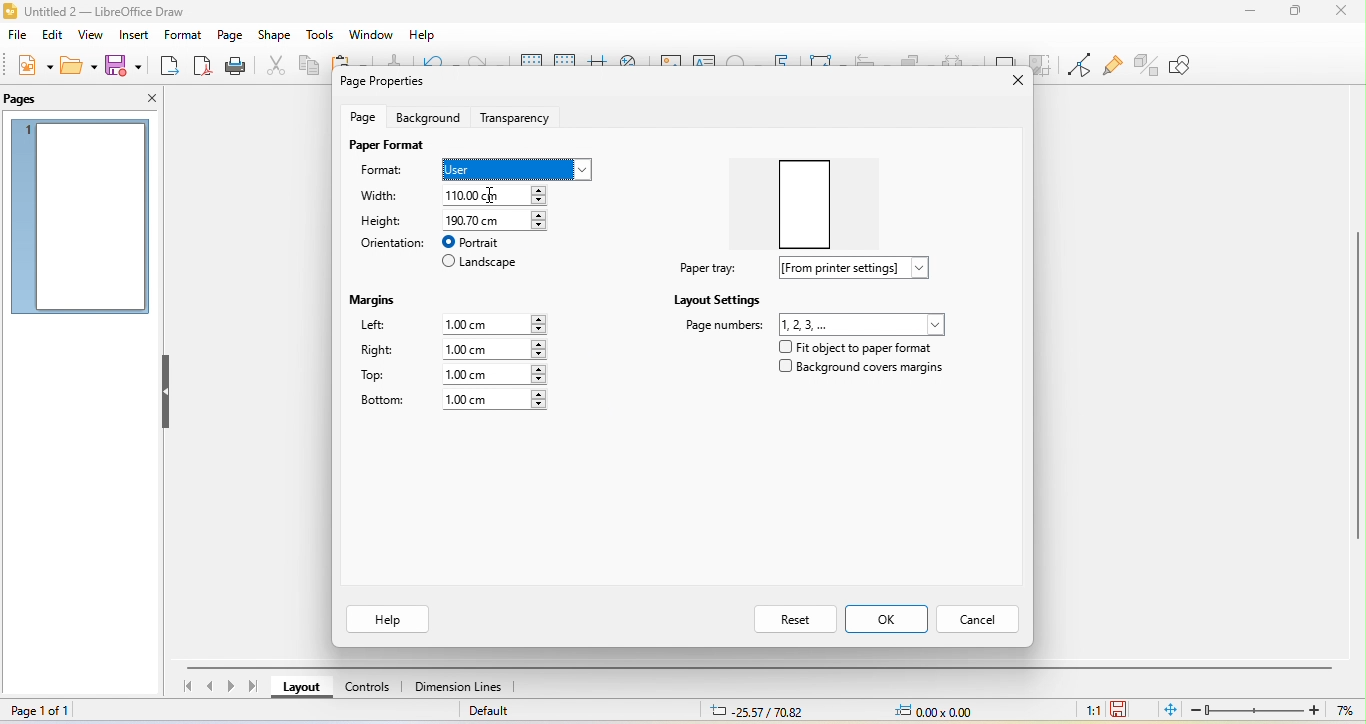 The width and height of the screenshot is (1366, 724). Describe the element at coordinates (481, 264) in the screenshot. I see `landscape` at that location.